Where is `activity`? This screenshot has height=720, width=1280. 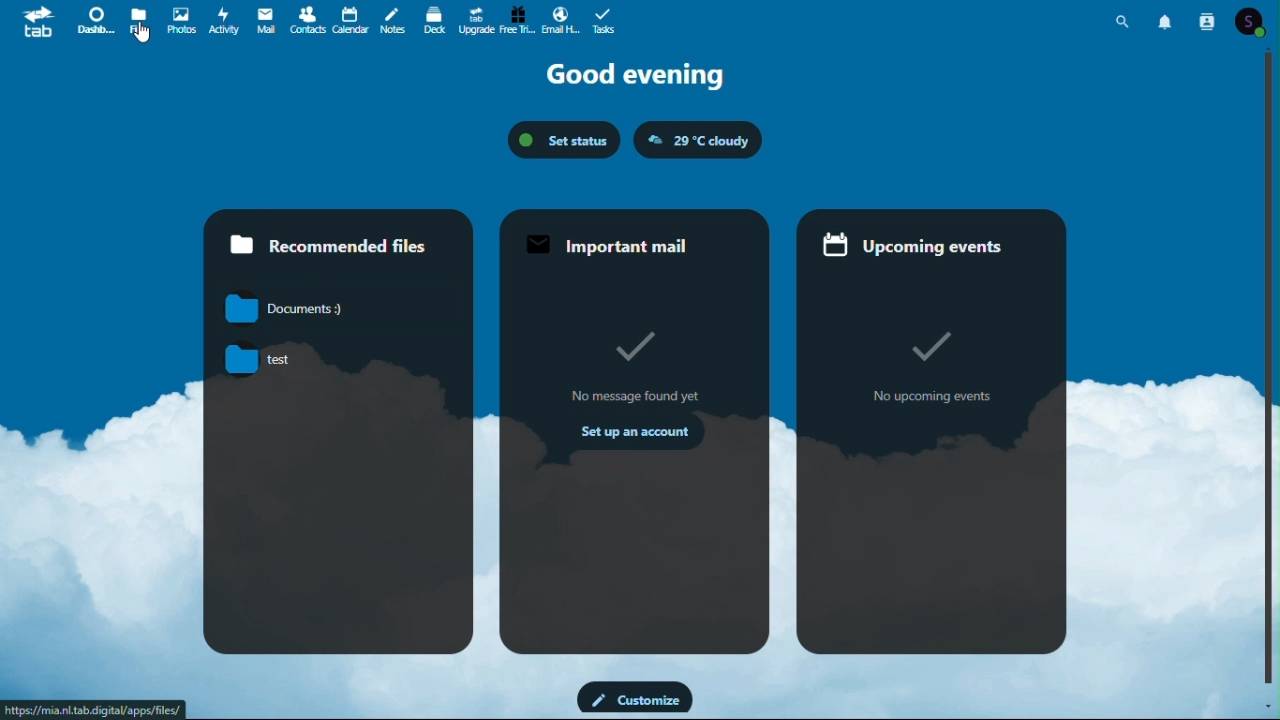 activity is located at coordinates (223, 21).